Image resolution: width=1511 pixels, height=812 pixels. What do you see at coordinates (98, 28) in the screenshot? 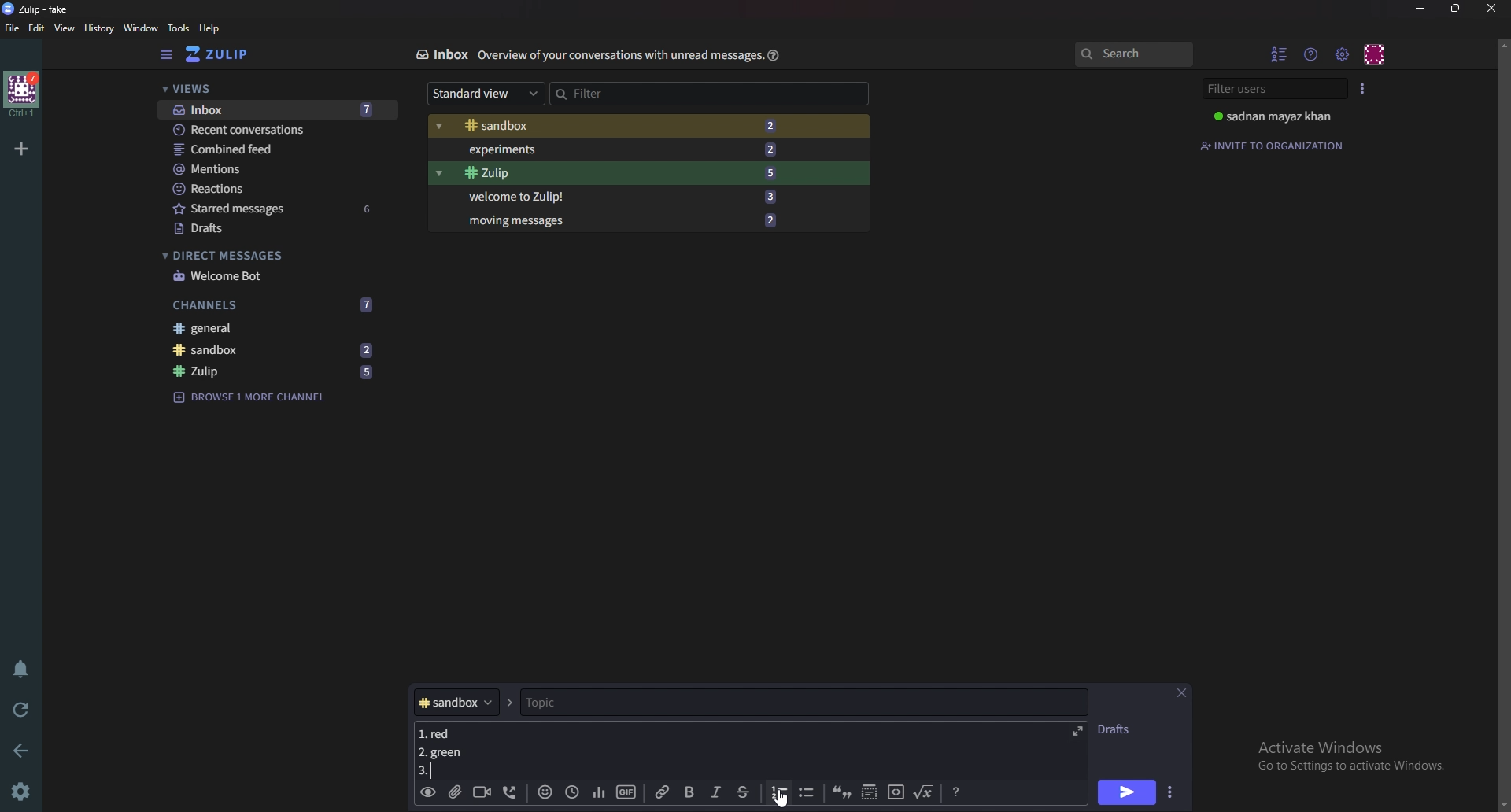
I see `History` at bounding box center [98, 28].